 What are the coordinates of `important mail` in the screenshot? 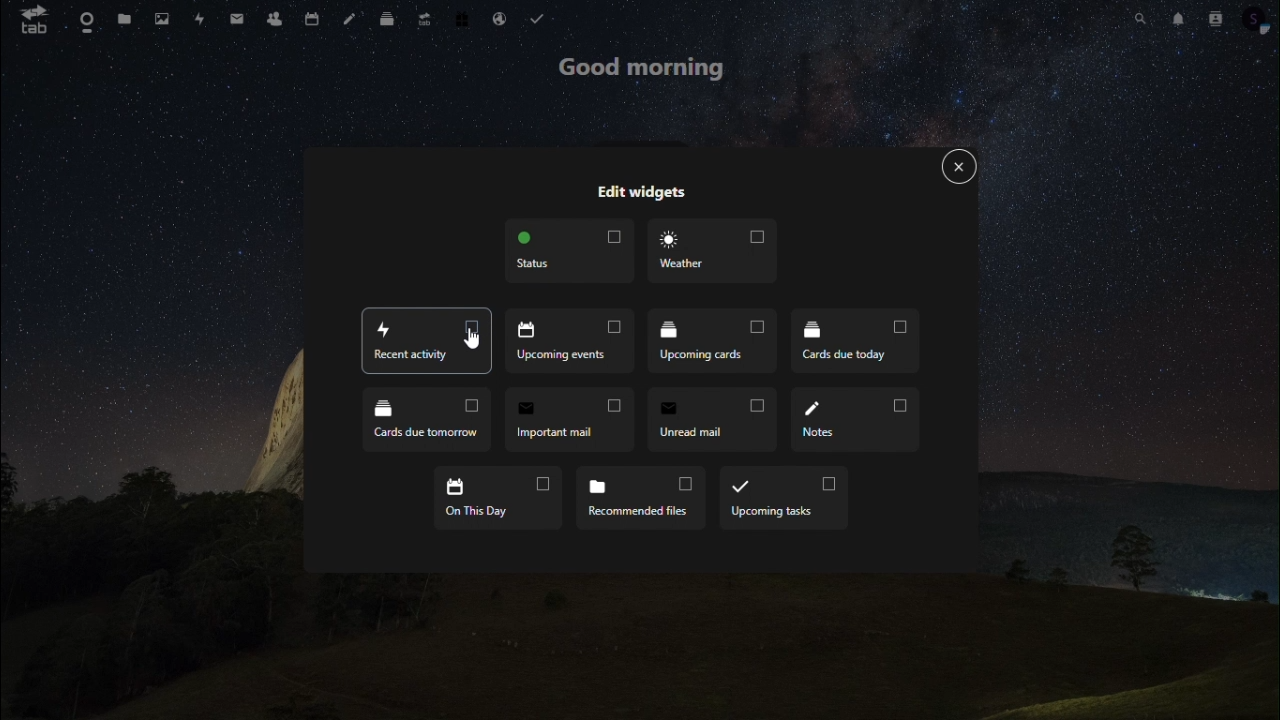 It's located at (568, 419).